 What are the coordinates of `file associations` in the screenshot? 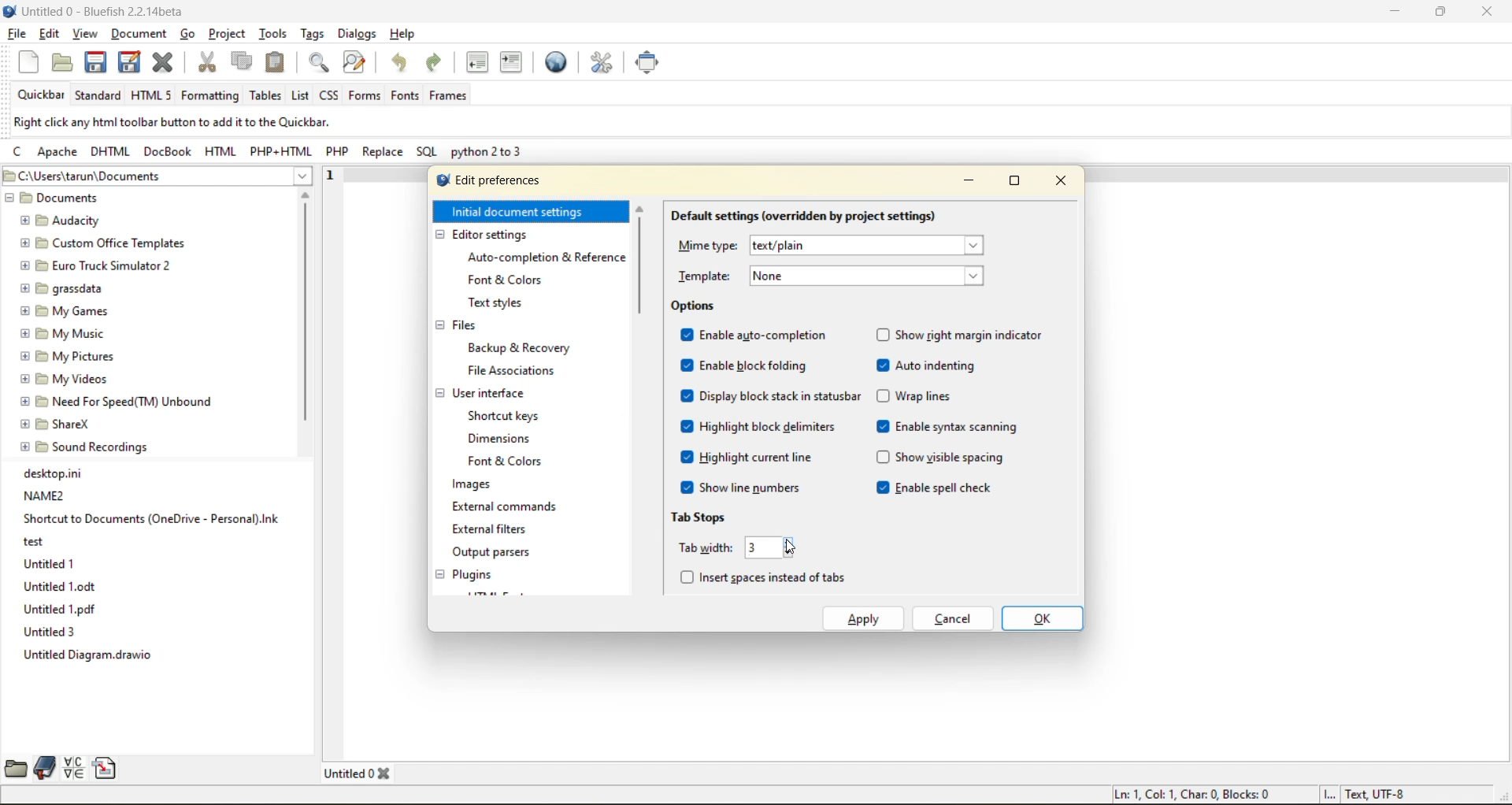 It's located at (515, 372).